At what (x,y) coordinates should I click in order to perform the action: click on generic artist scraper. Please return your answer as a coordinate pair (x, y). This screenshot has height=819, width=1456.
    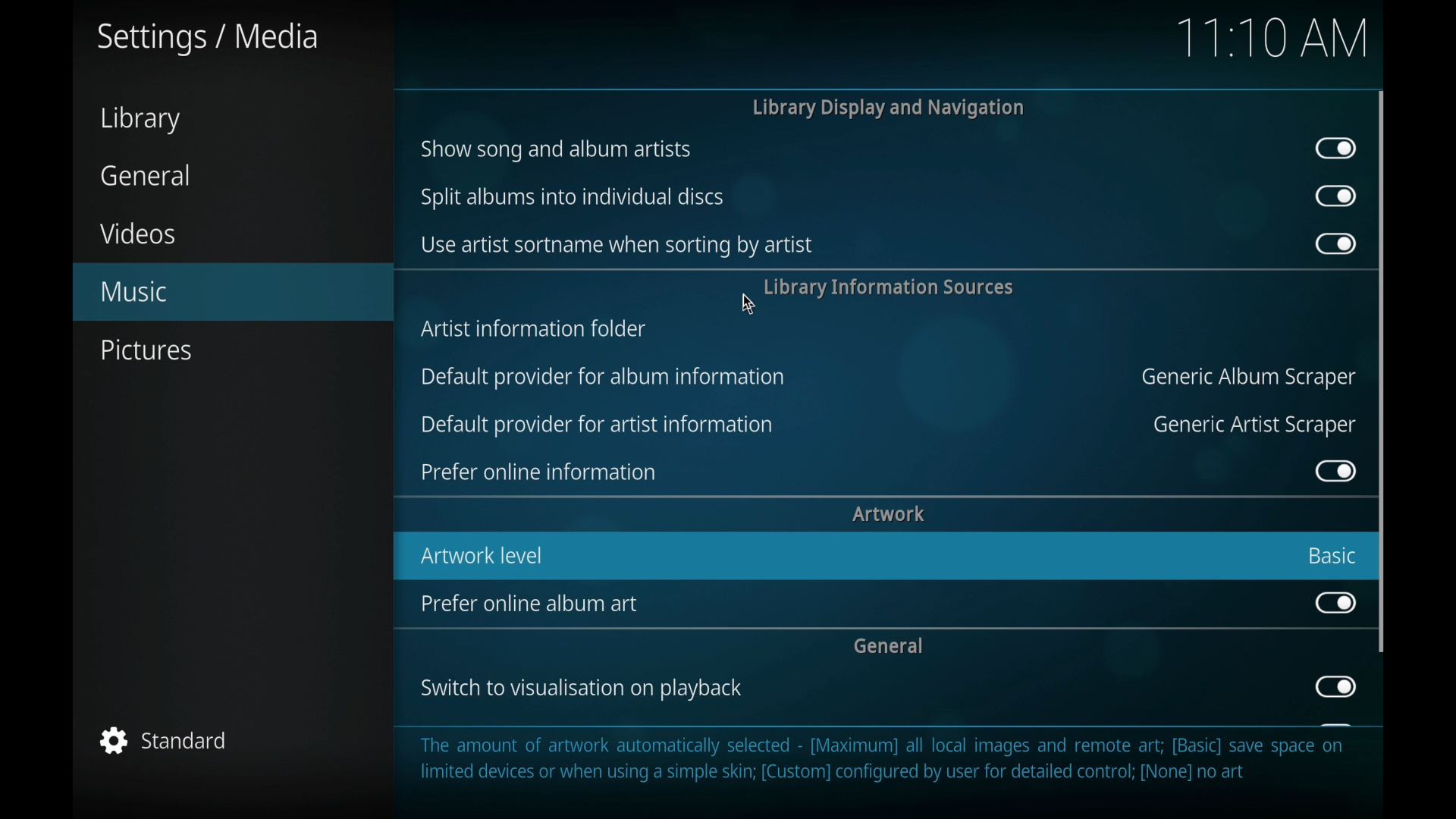
    Looking at the image, I should click on (1254, 426).